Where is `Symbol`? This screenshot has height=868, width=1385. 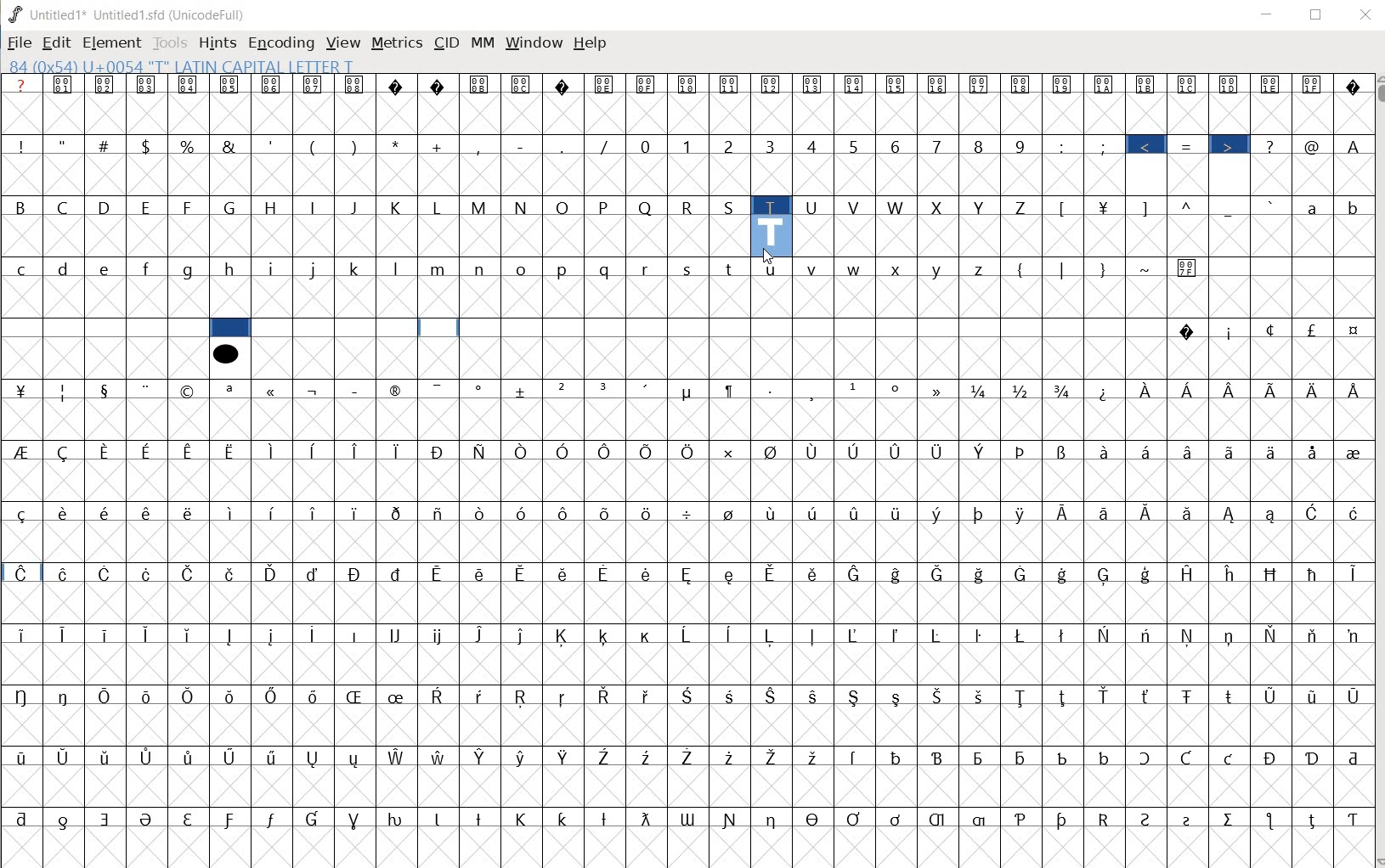
Symbol is located at coordinates (941, 516).